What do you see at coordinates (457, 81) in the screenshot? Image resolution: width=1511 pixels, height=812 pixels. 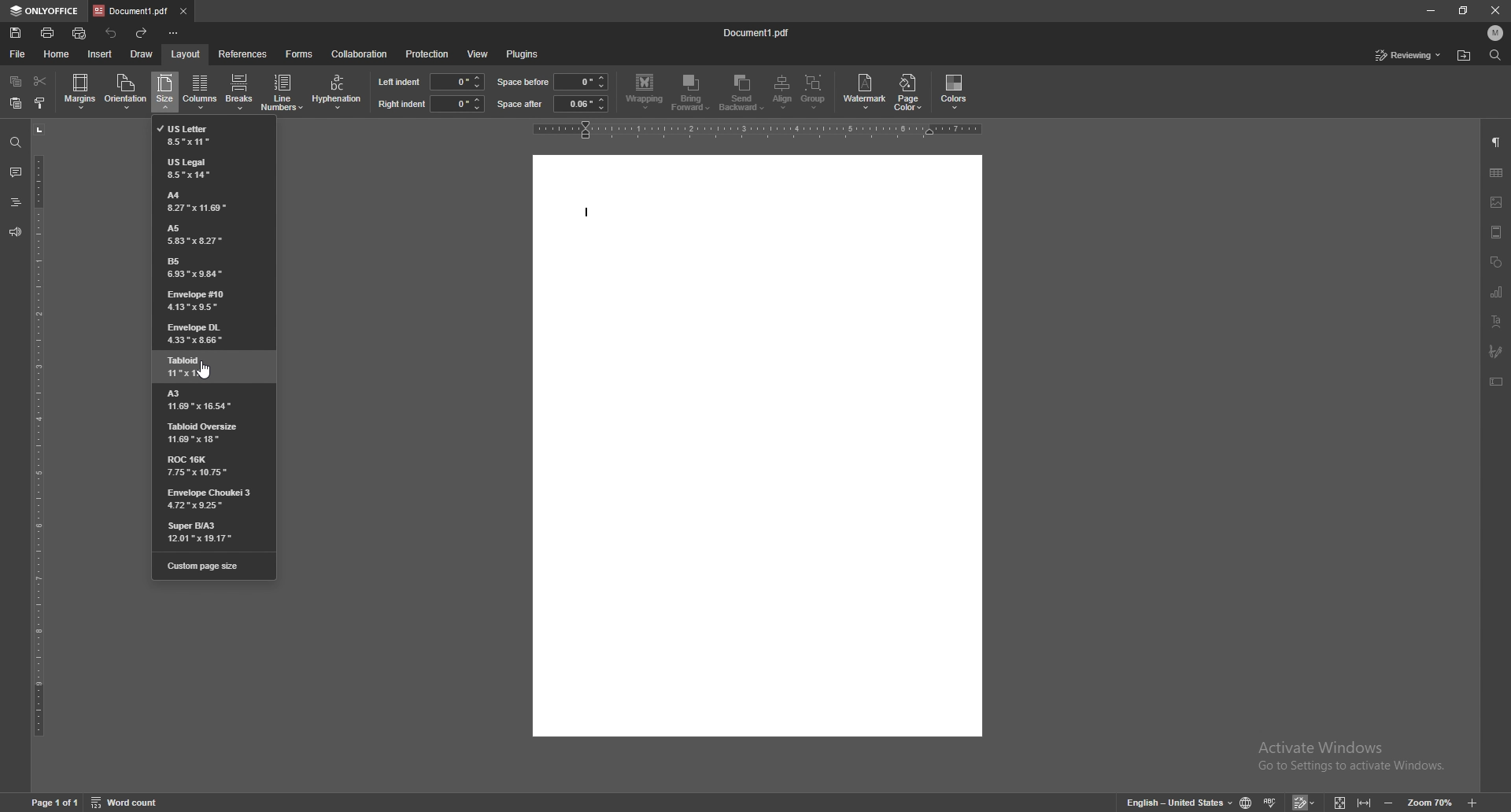 I see `input left indent` at bounding box center [457, 81].